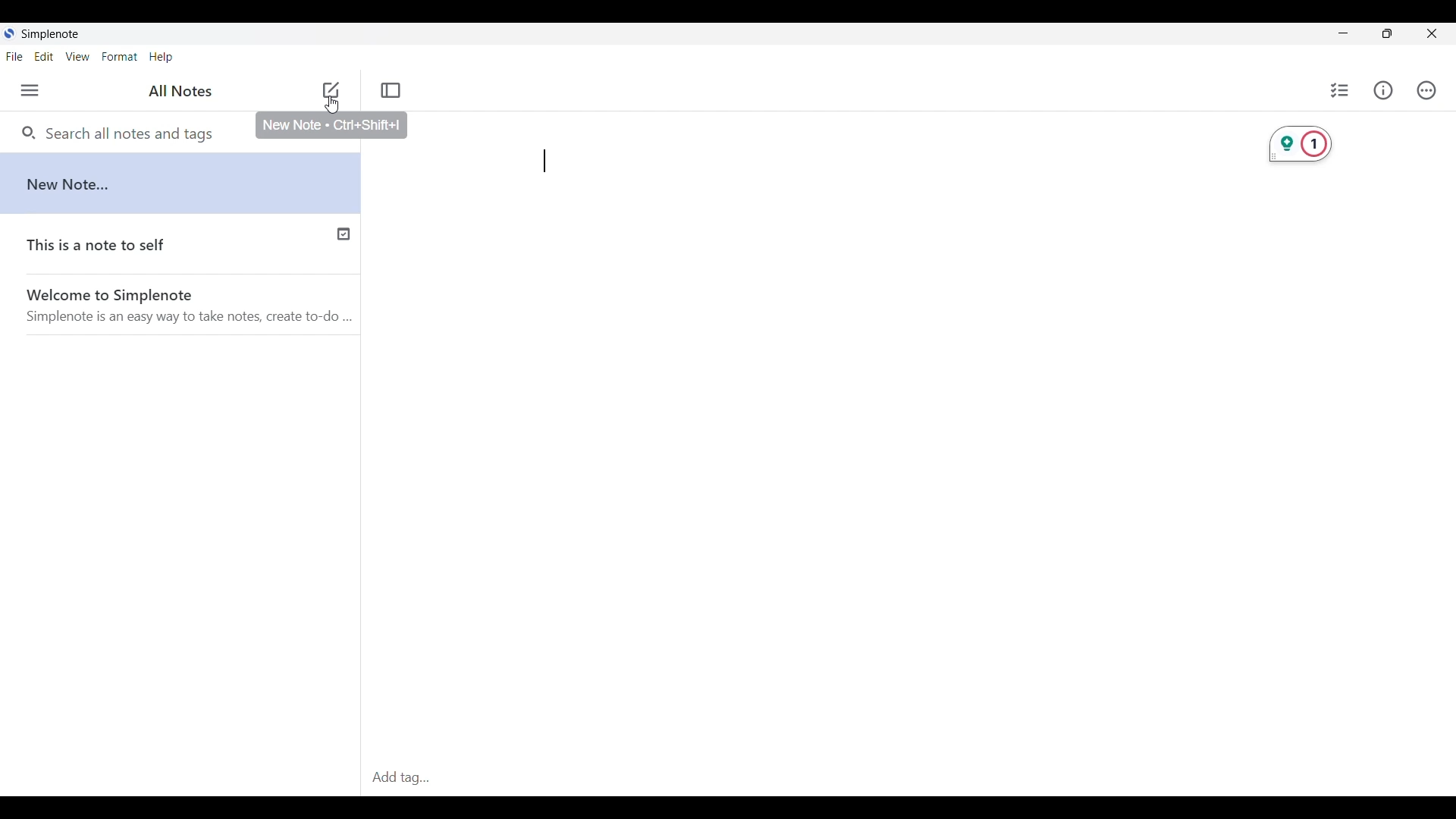  Describe the element at coordinates (545, 161) in the screenshot. I see `Text cursor(Type in active for current note)` at that location.